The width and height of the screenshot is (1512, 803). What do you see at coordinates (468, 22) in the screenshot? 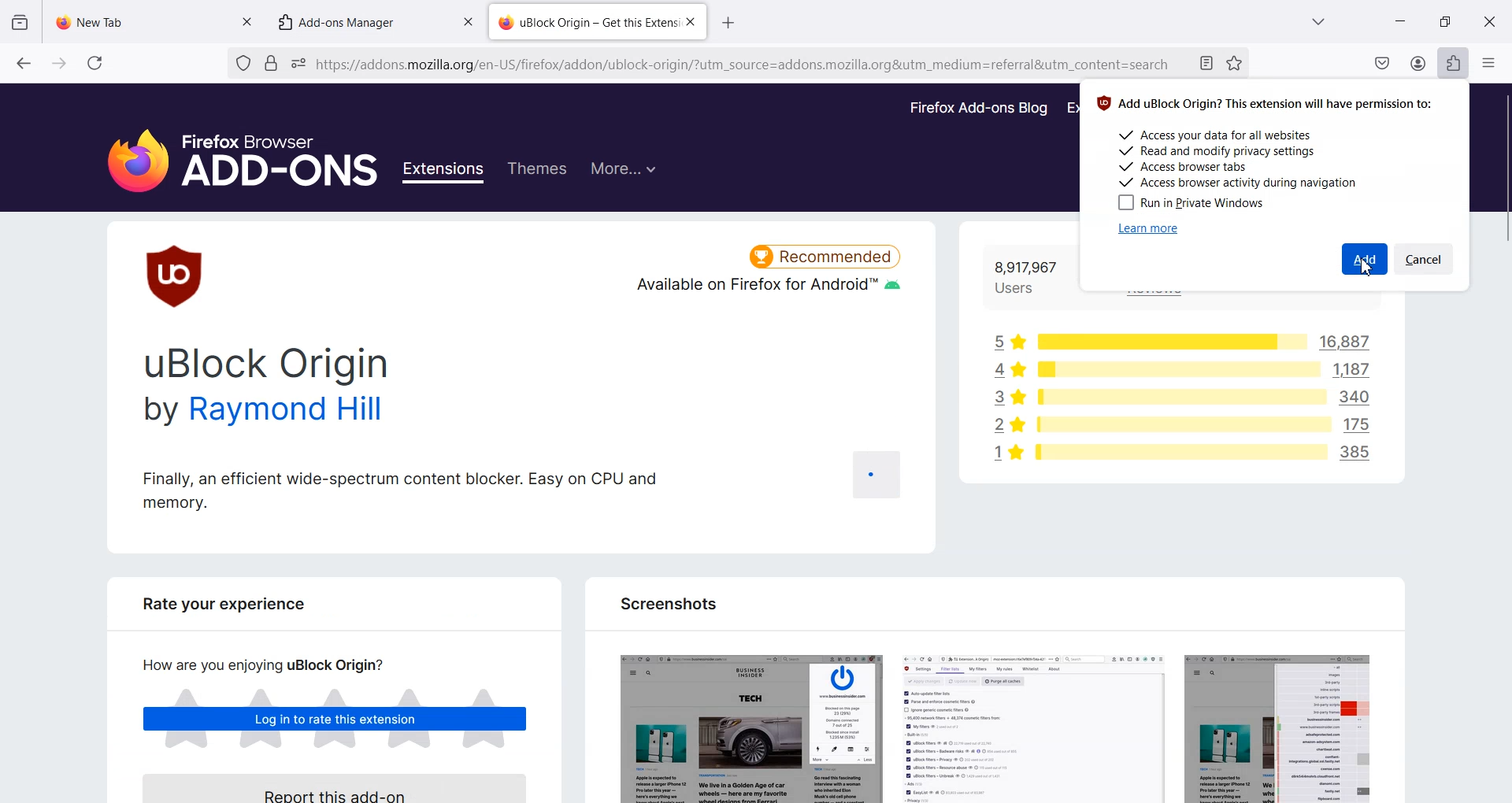
I see `Close tab` at bounding box center [468, 22].